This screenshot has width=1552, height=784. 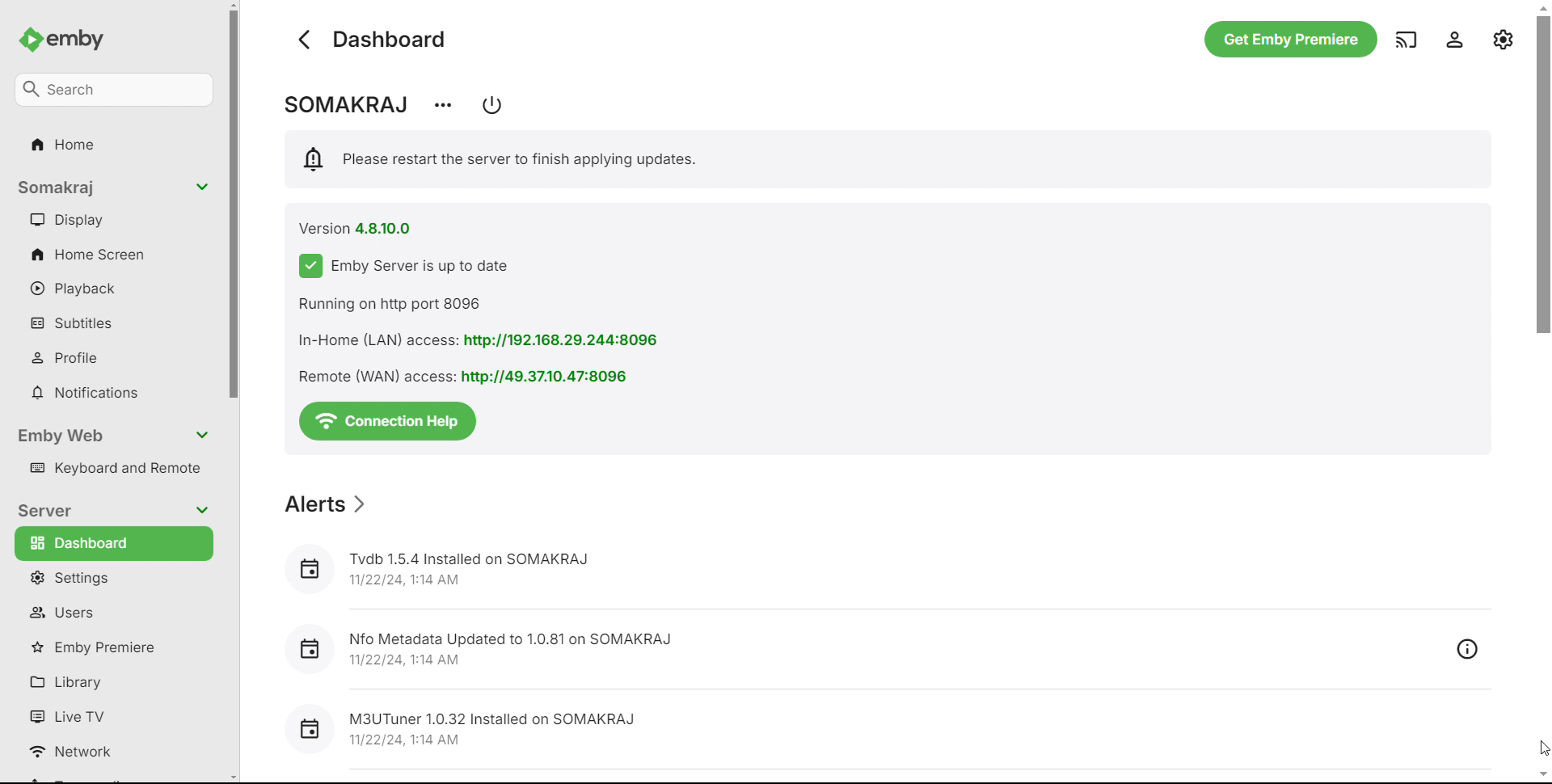 I want to click on emby web, so click(x=115, y=436).